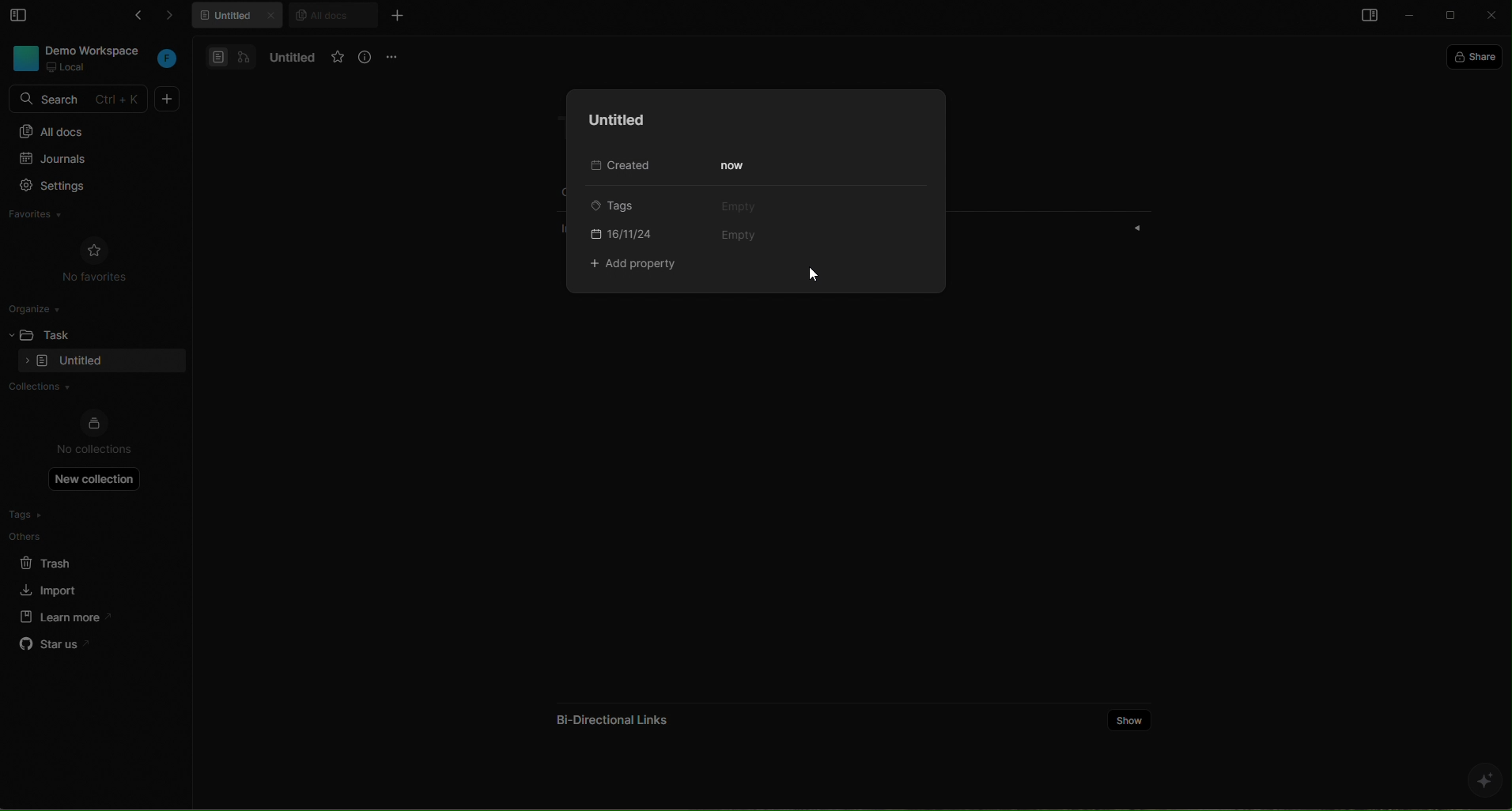  I want to click on empty, so click(738, 206).